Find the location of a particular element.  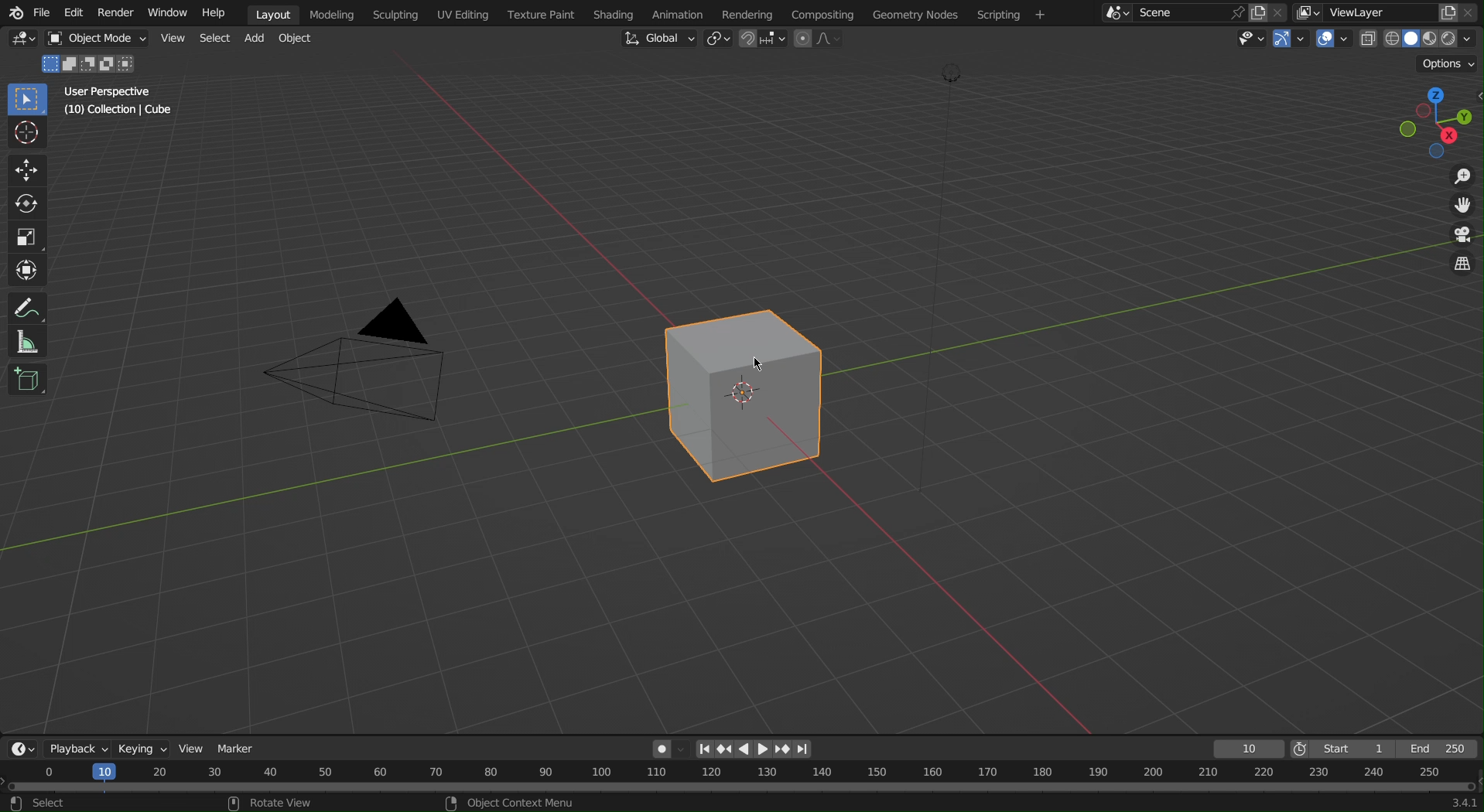

Cube is located at coordinates (745, 397).